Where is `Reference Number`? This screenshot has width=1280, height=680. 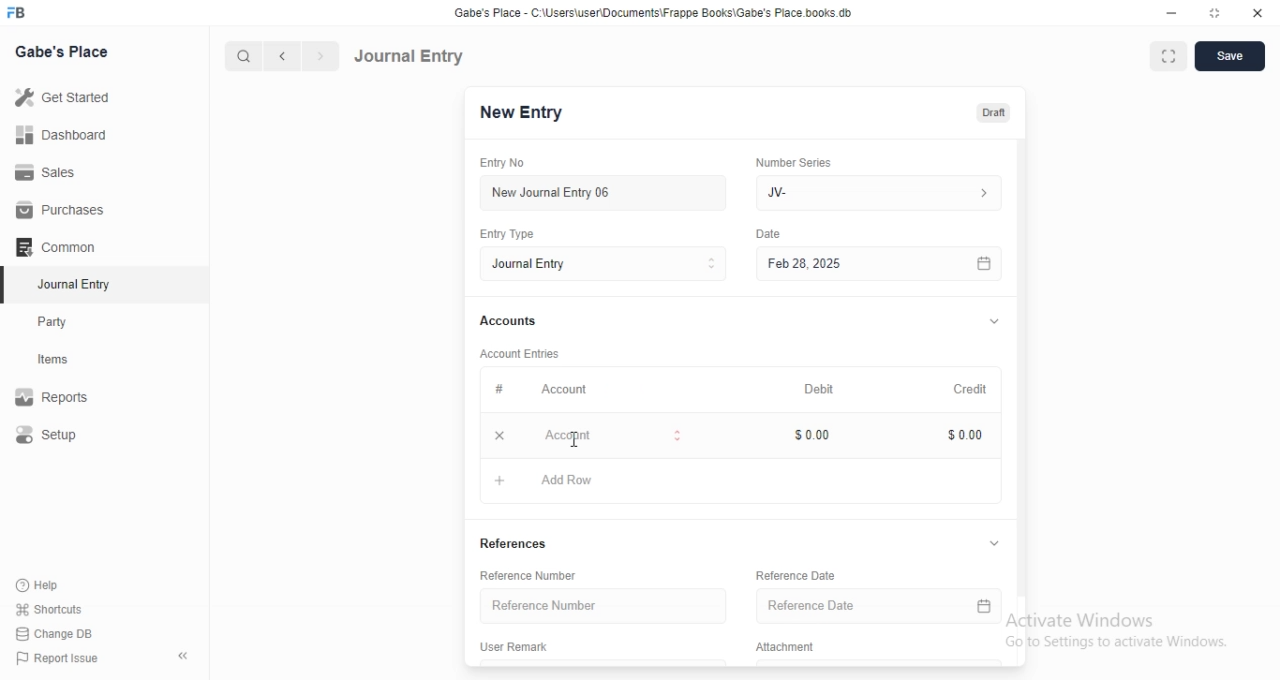 Reference Number is located at coordinates (537, 576).